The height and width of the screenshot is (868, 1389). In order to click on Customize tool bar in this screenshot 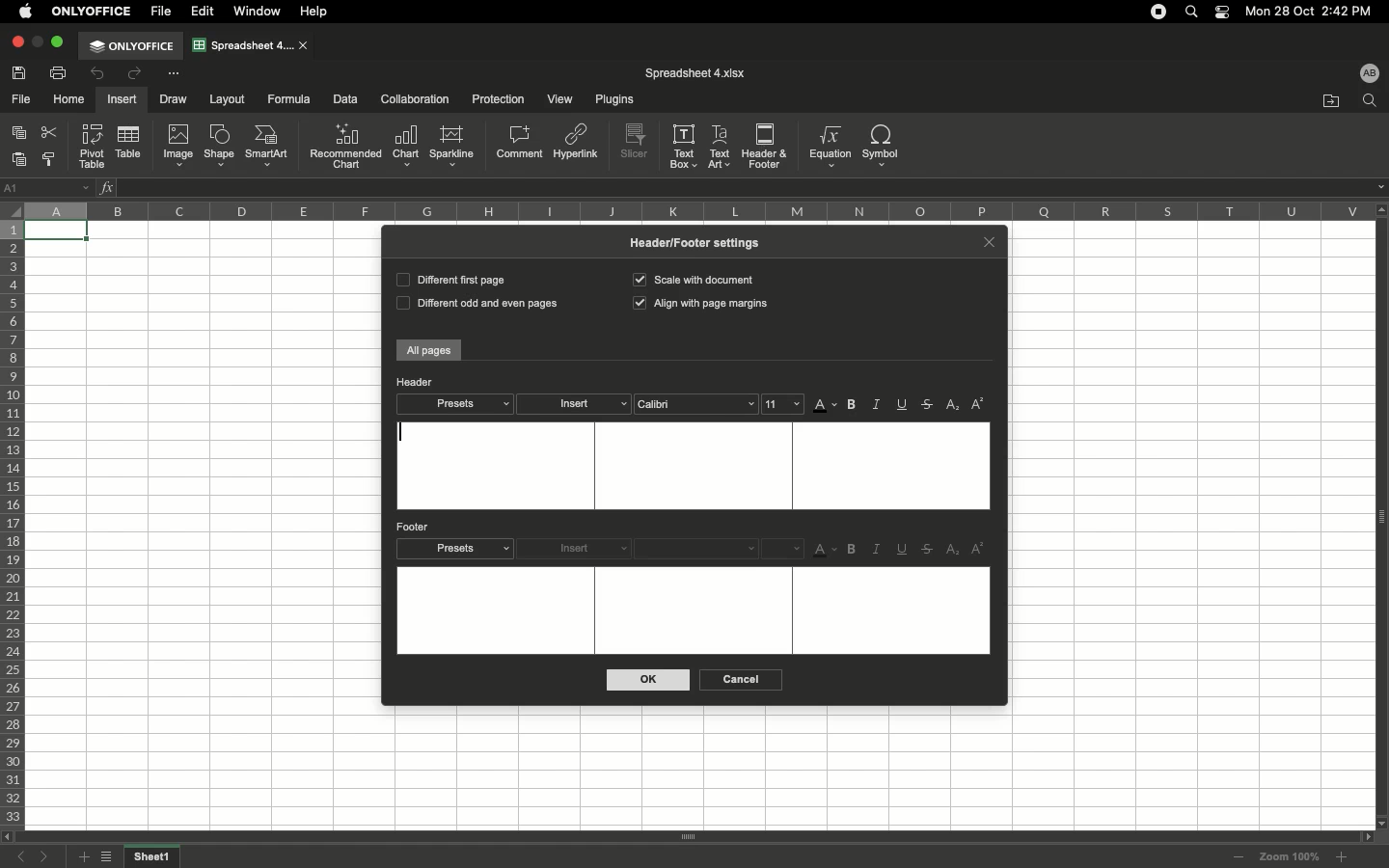, I will do `click(173, 72)`.